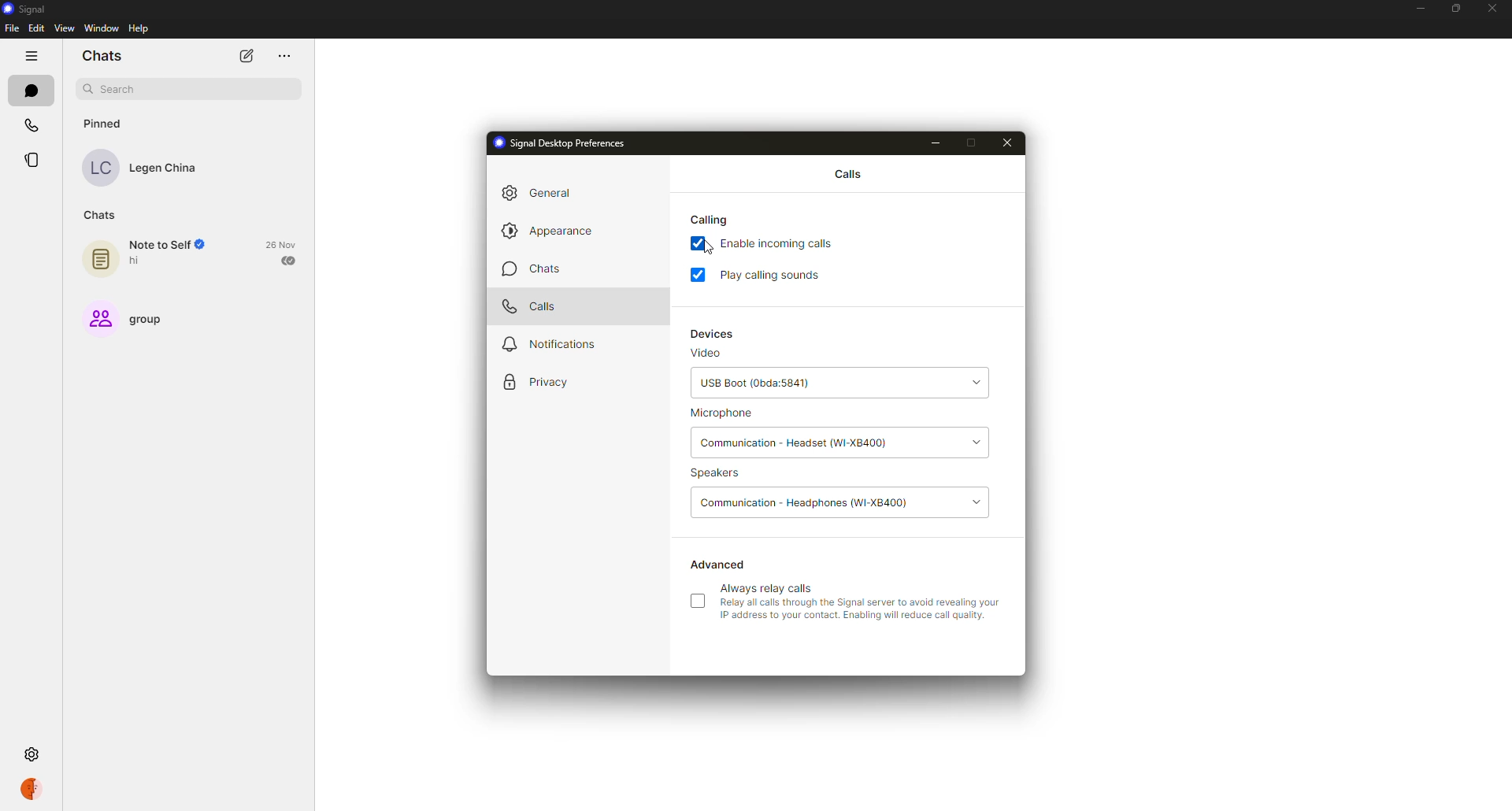 The width and height of the screenshot is (1512, 811). Describe the element at coordinates (563, 143) in the screenshot. I see `signal desktop preferences` at that location.